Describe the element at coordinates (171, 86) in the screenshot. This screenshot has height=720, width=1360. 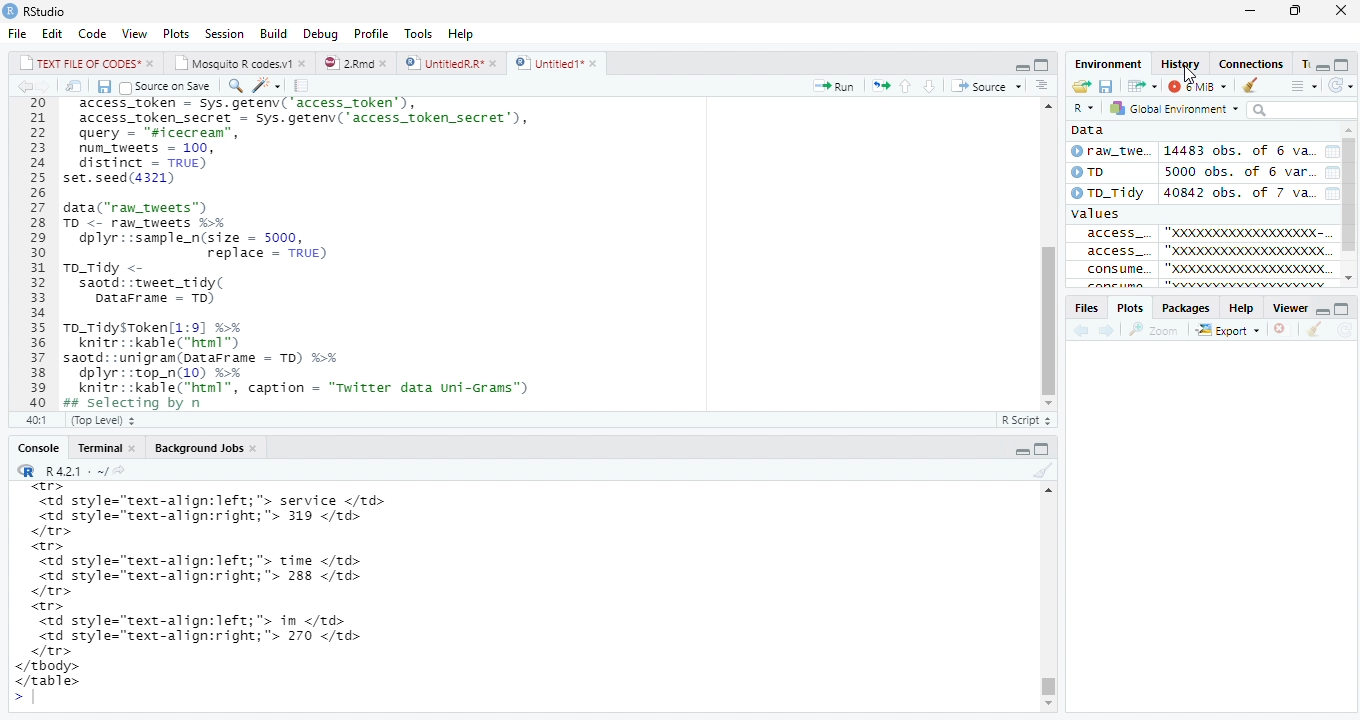
I see `Source on save` at that location.